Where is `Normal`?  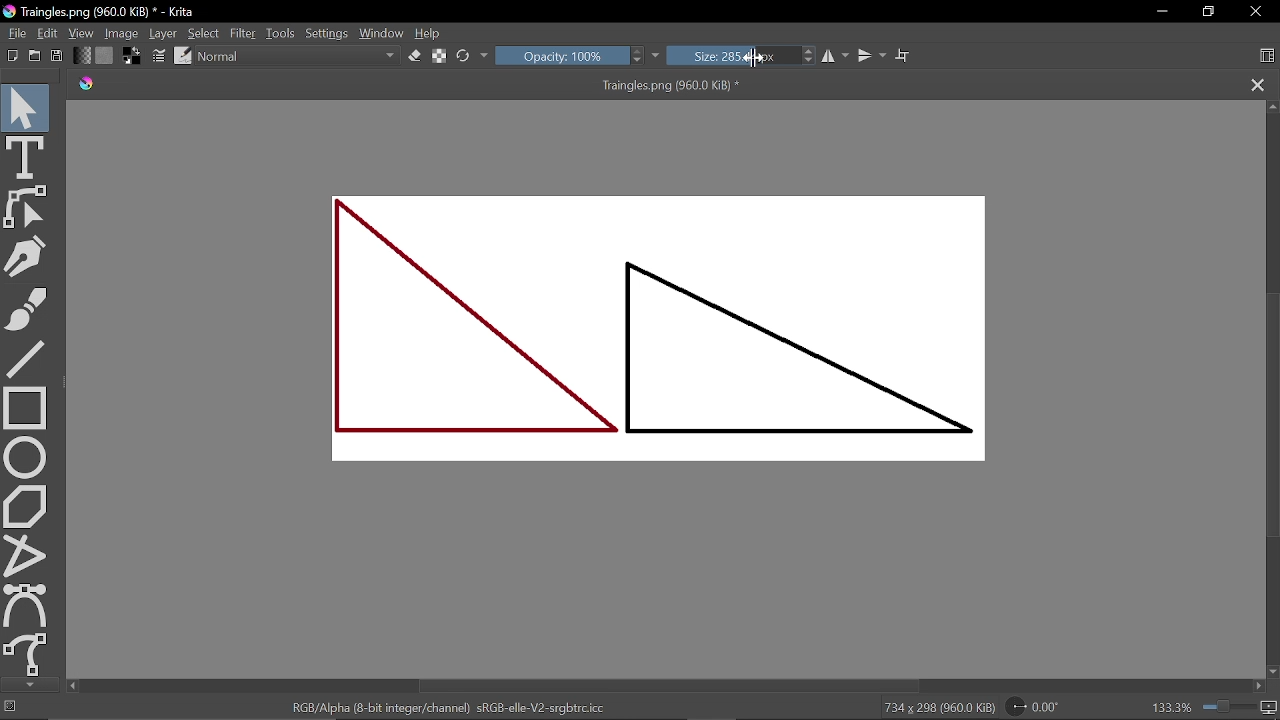
Normal is located at coordinates (298, 56).